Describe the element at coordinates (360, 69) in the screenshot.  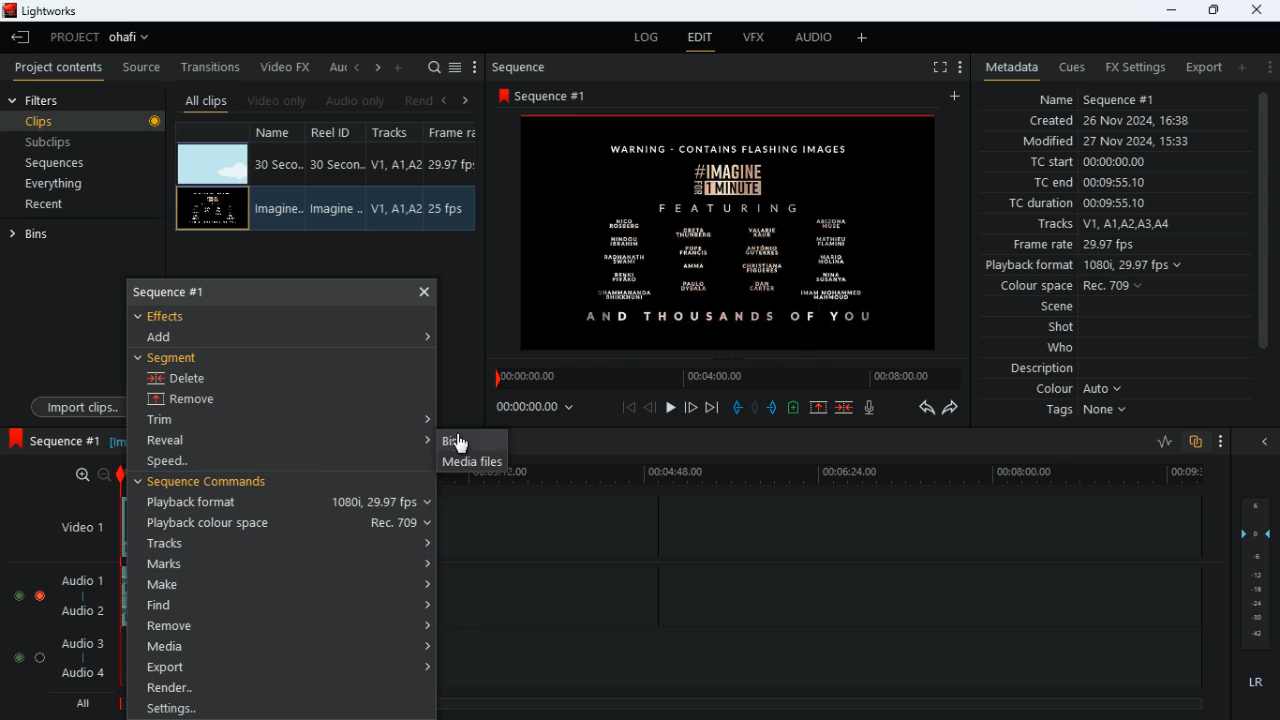
I see `left` at that location.